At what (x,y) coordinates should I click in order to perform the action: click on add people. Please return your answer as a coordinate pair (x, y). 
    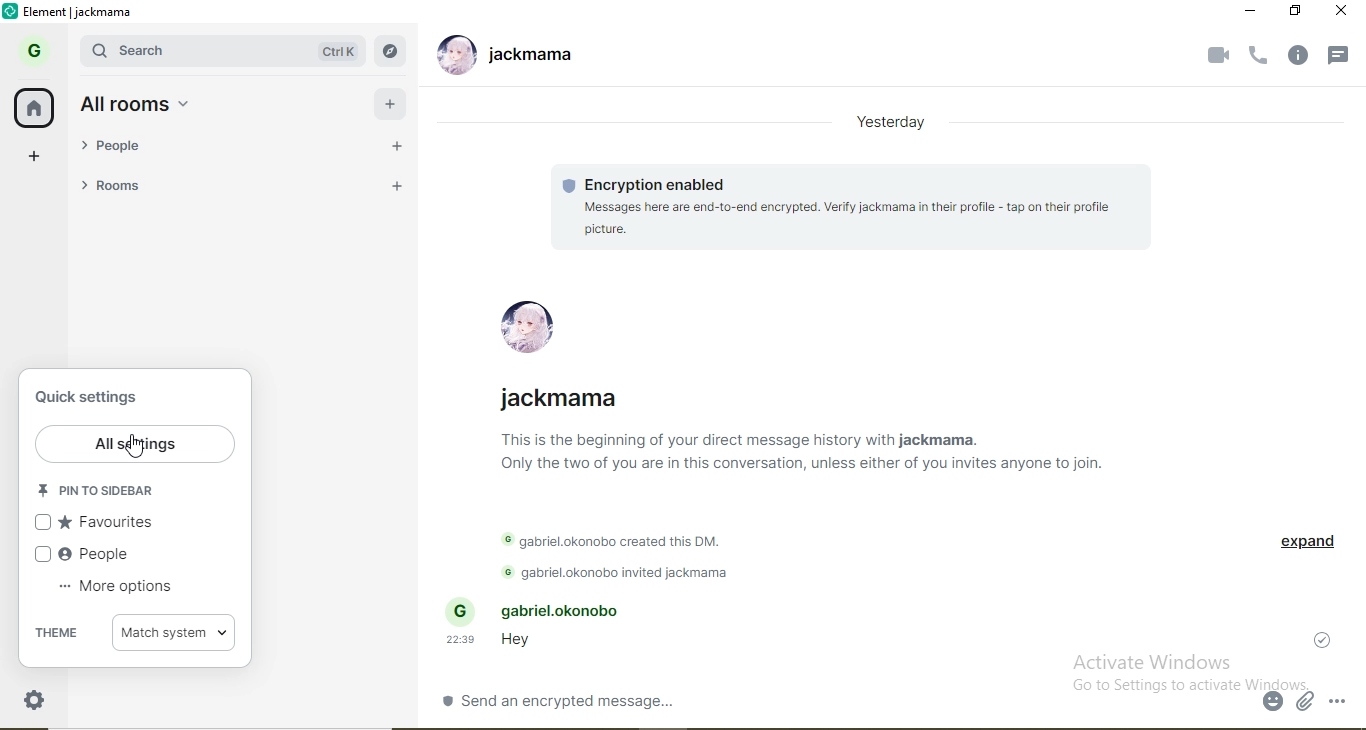
    Looking at the image, I should click on (397, 151).